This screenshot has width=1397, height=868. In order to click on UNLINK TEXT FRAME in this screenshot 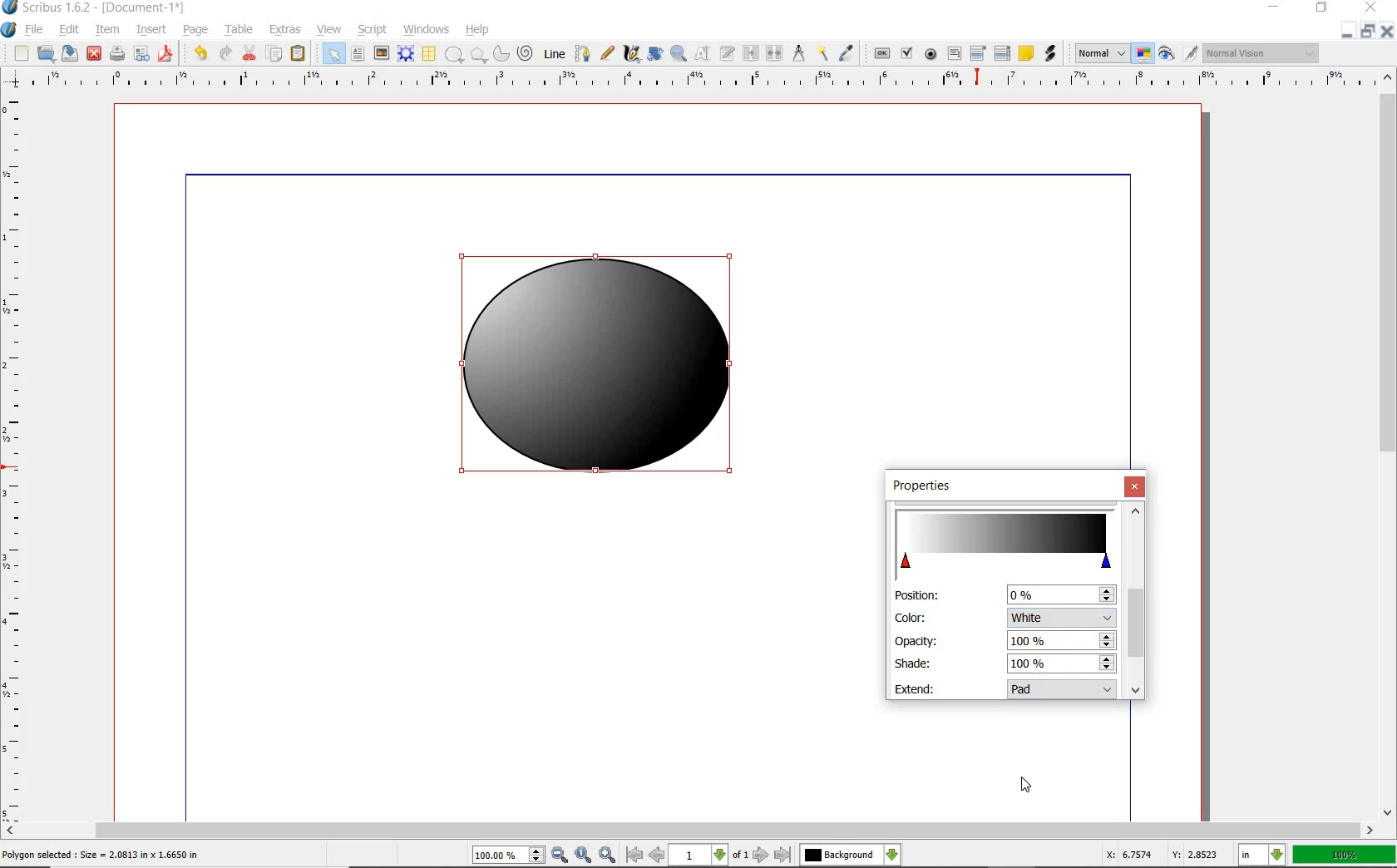, I will do `click(773, 52)`.